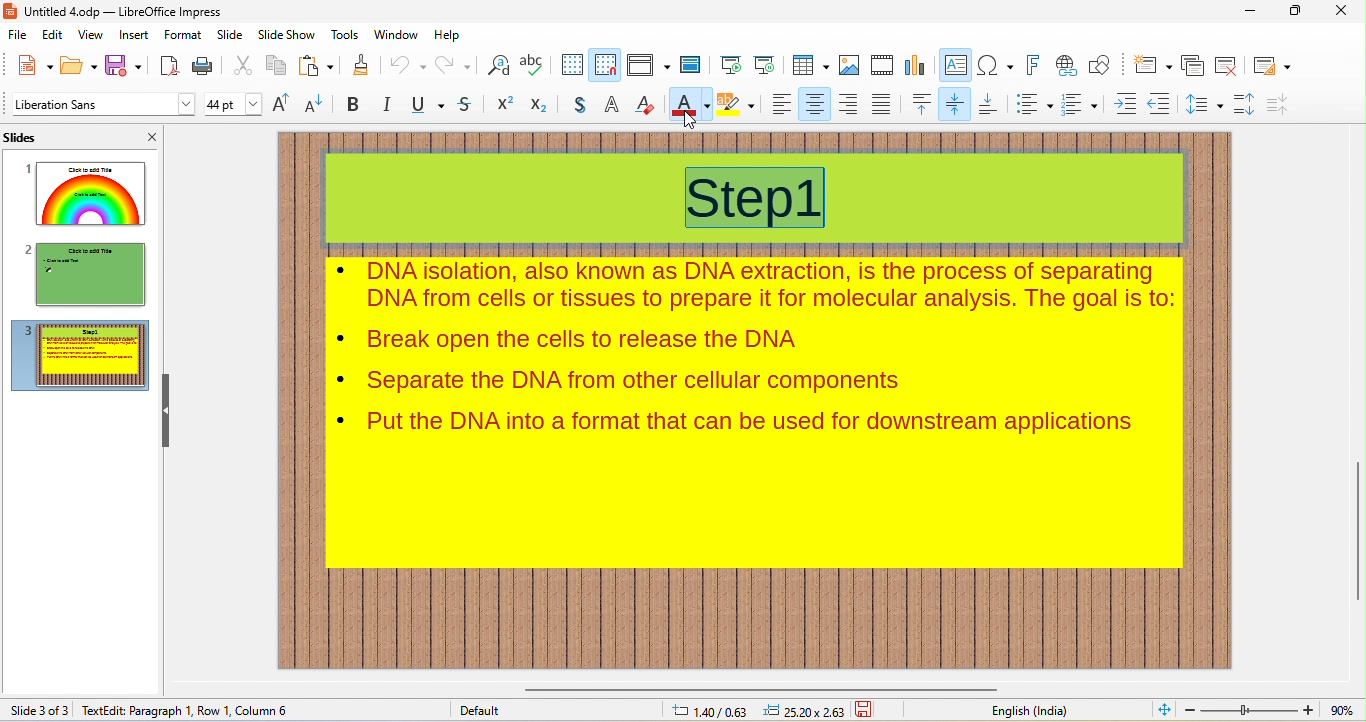  What do you see at coordinates (466, 105) in the screenshot?
I see `strikethrough` at bounding box center [466, 105].